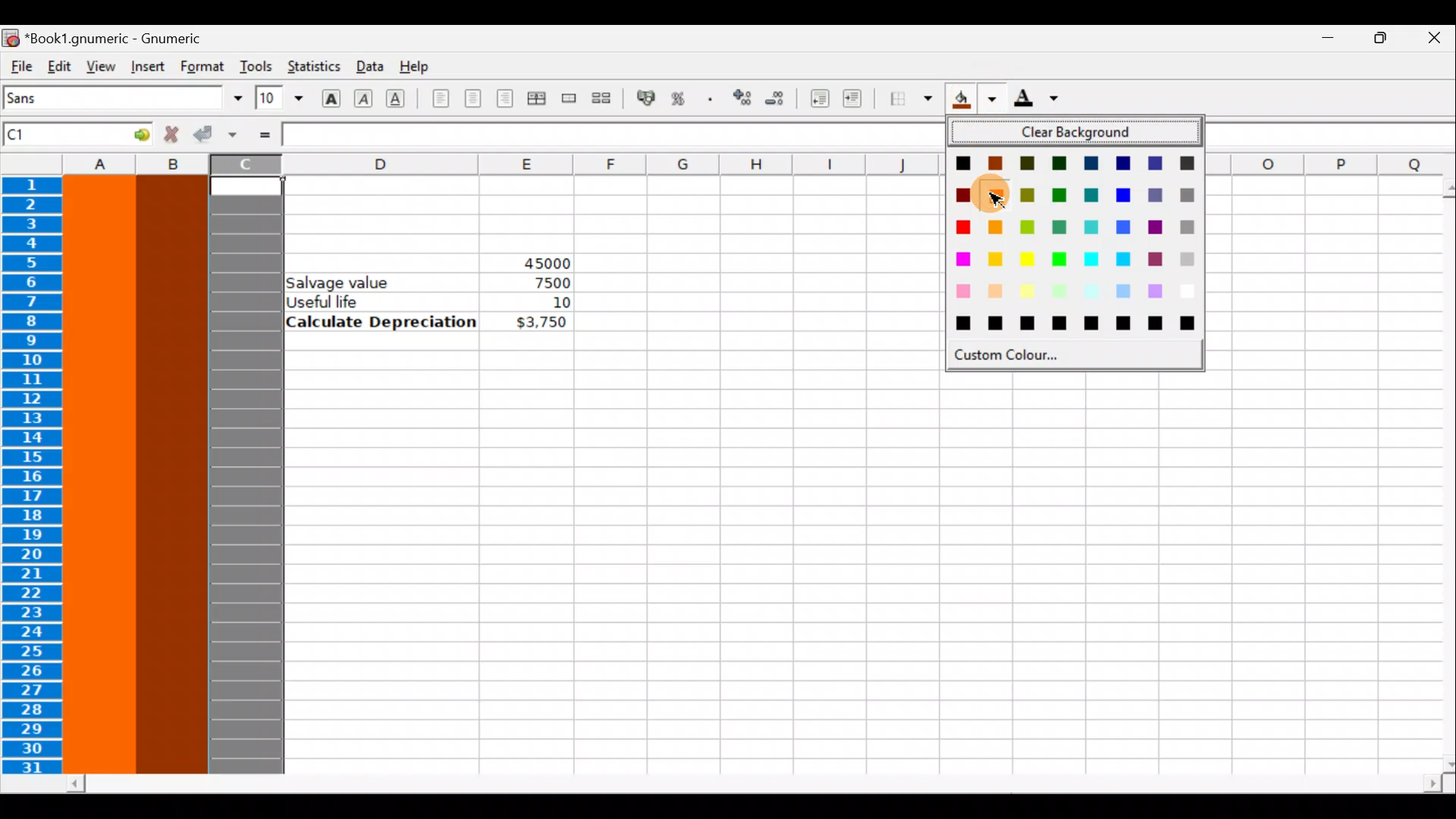 This screenshot has width=1456, height=819. Describe the element at coordinates (610, 135) in the screenshot. I see `Formula bar` at that location.